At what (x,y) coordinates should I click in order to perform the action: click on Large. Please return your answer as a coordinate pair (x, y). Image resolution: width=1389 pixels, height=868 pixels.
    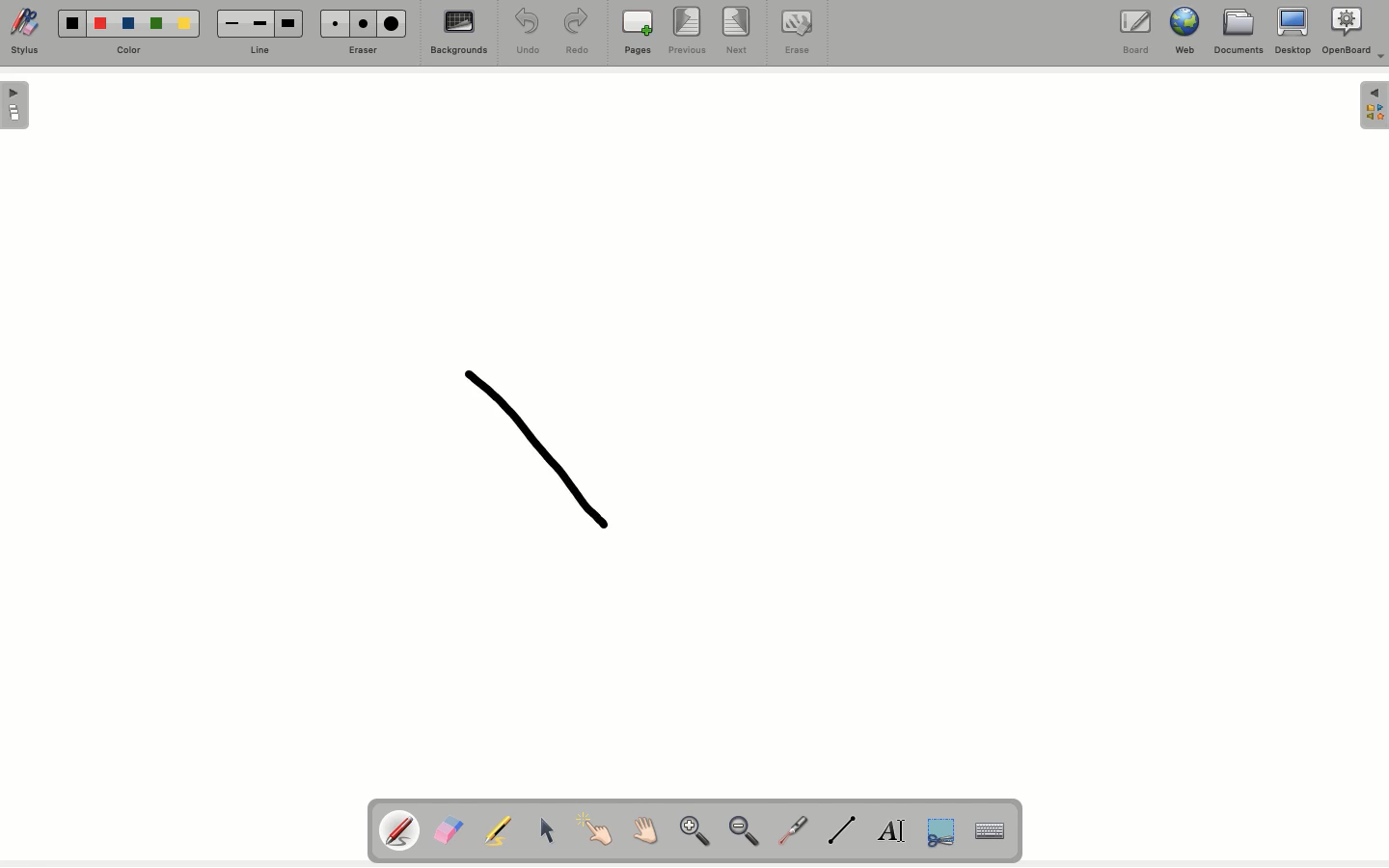
    Looking at the image, I should click on (290, 21).